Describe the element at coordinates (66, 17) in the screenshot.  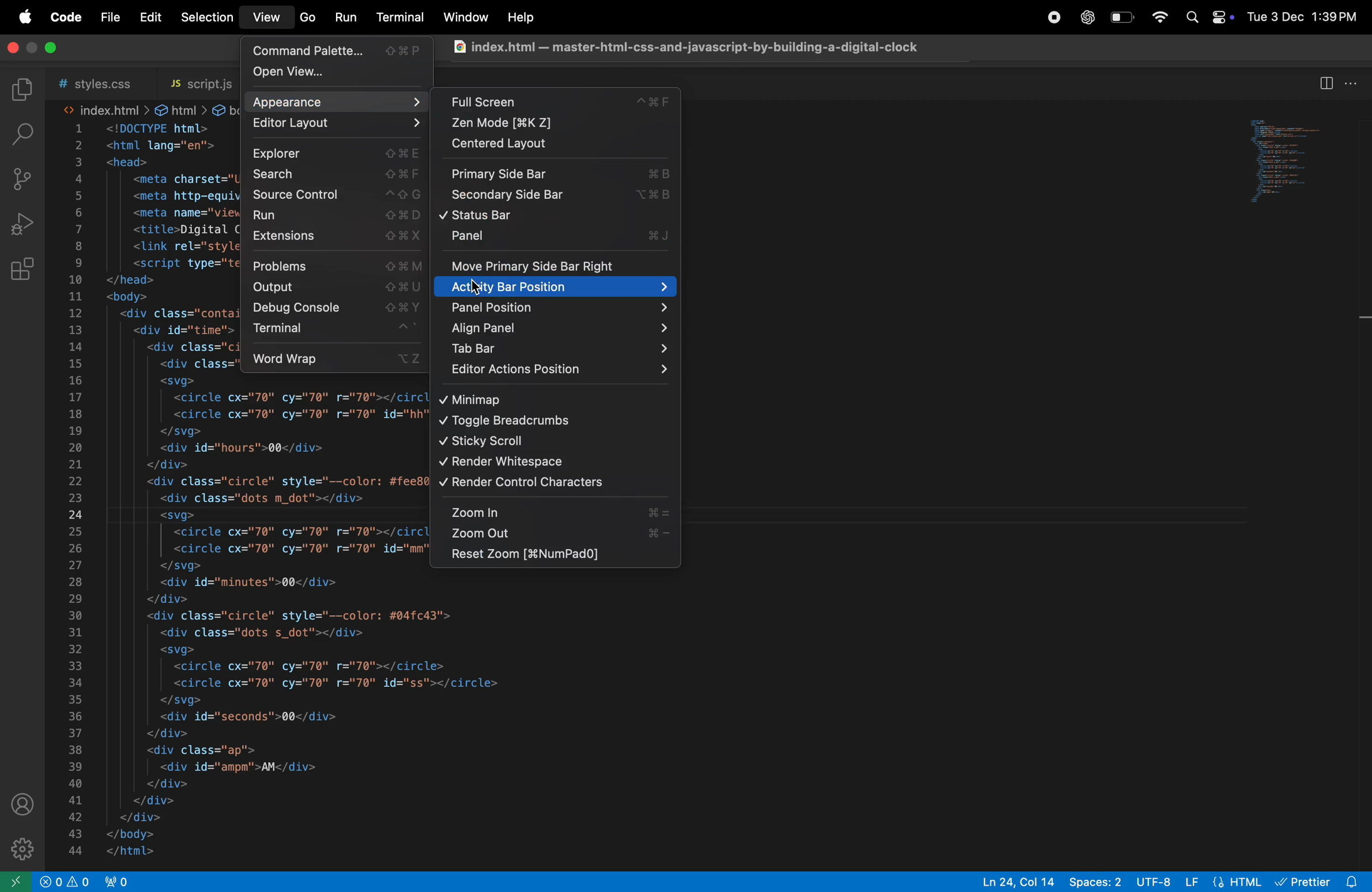
I see `code` at that location.